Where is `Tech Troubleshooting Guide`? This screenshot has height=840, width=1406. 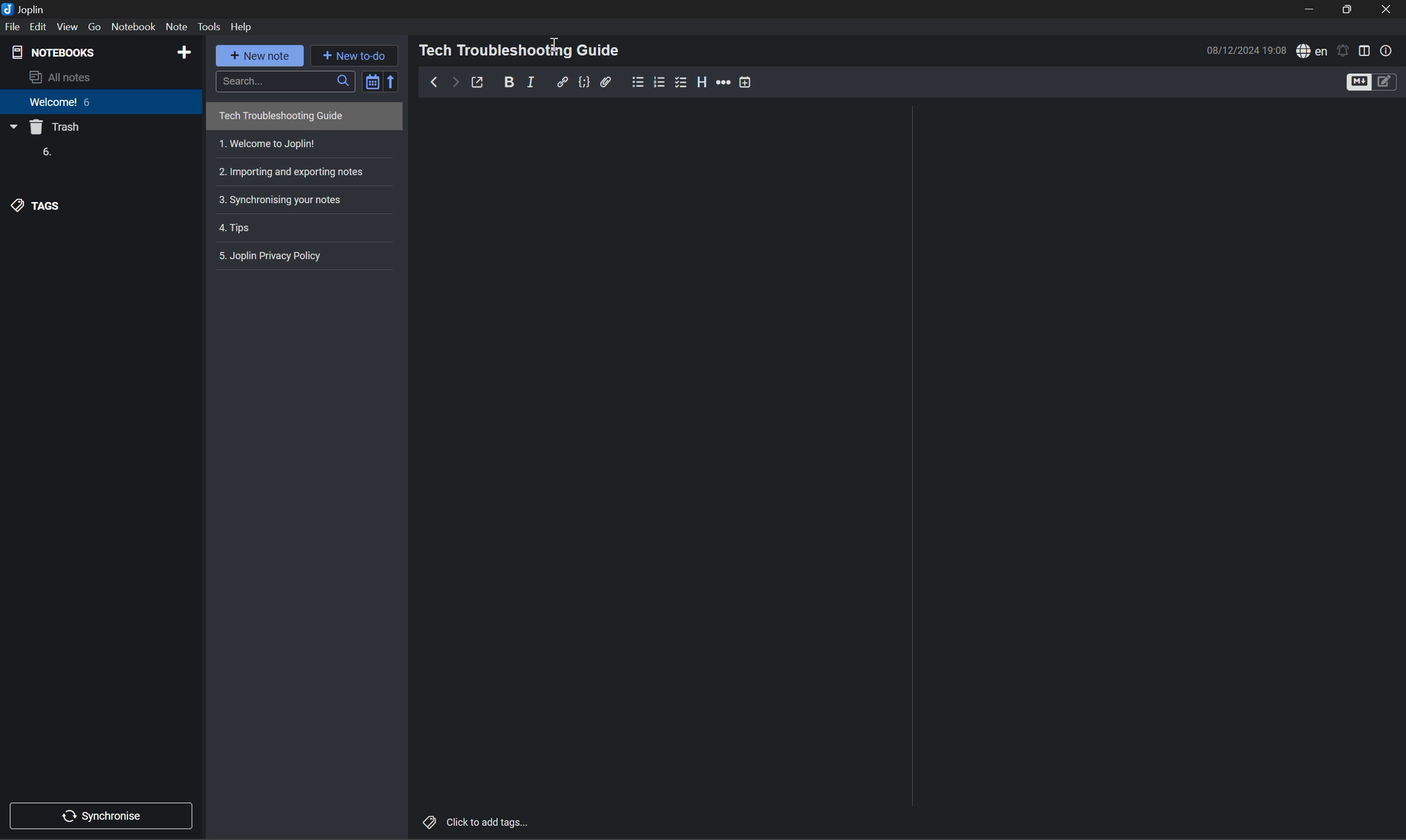 Tech Troubleshooting Guide is located at coordinates (280, 117).